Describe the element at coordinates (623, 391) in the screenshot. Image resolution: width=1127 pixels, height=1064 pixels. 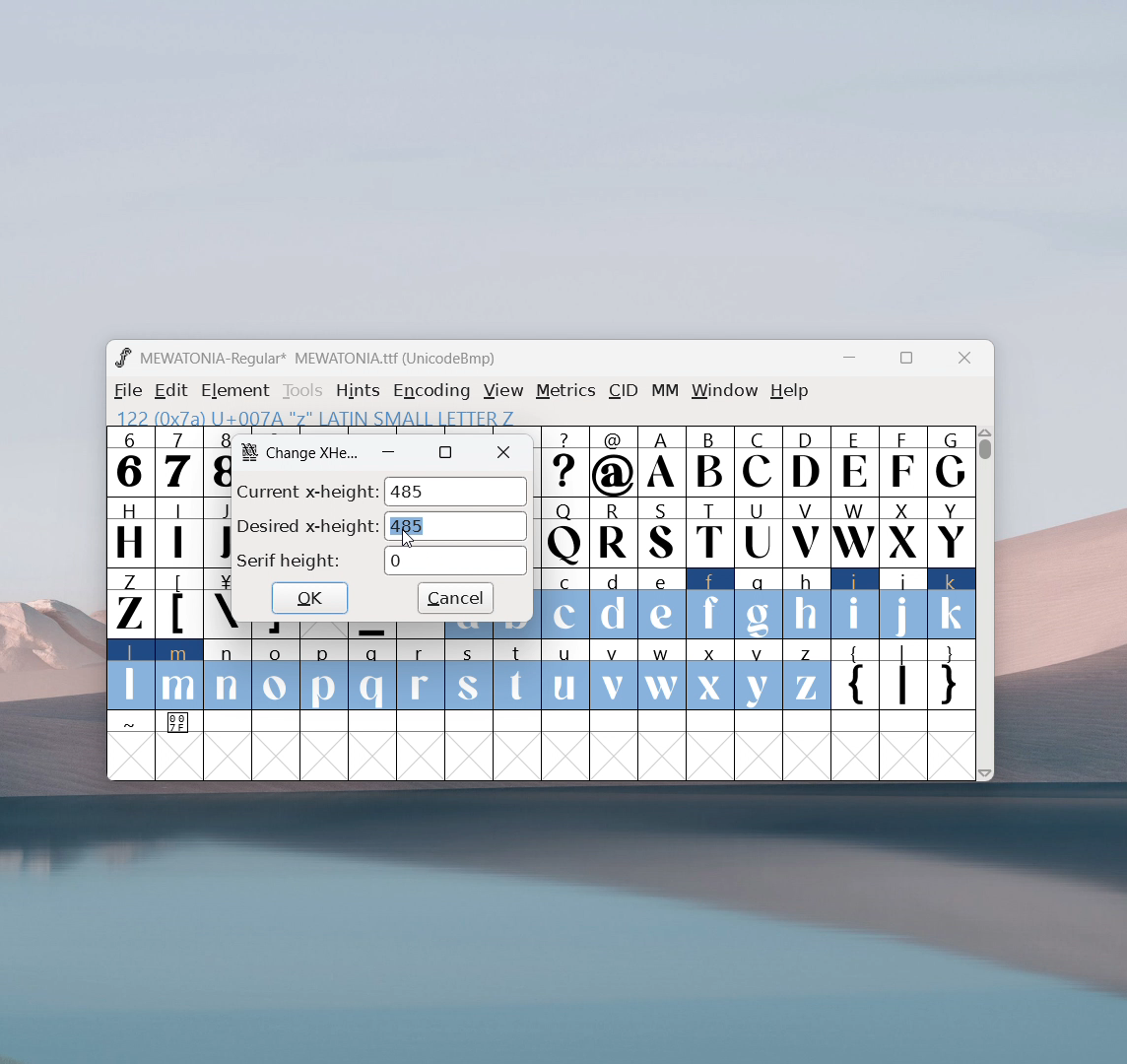
I see `cid` at that location.